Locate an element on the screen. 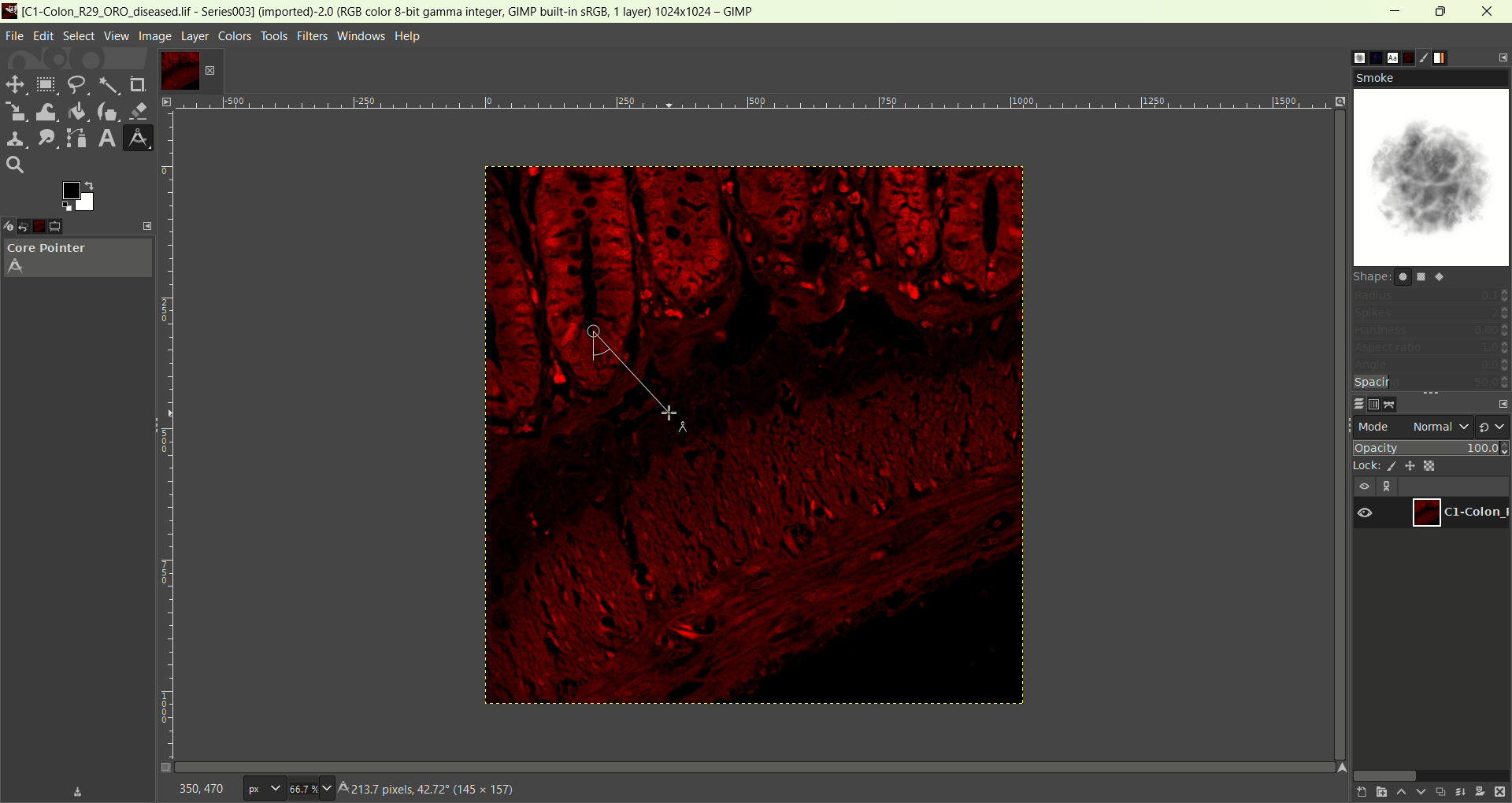  cursor is located at coordinates (590, 333).